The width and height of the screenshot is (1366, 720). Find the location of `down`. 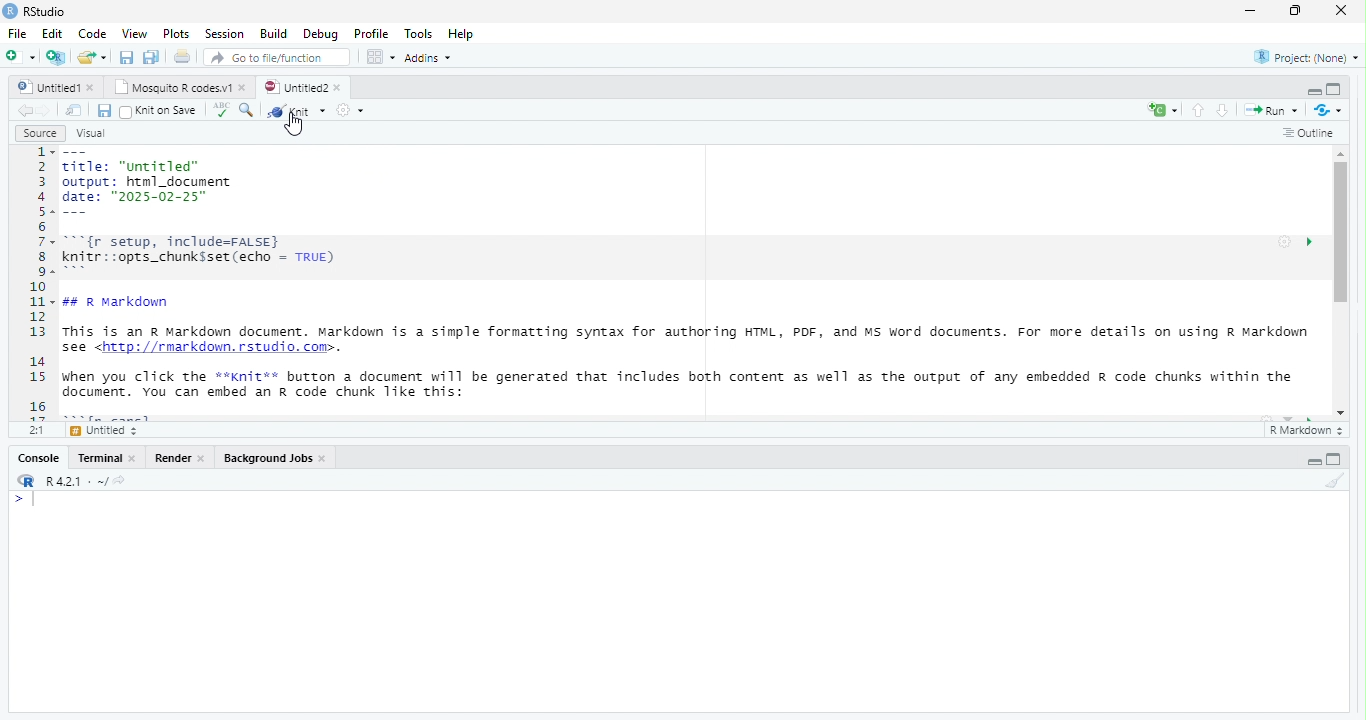

down is located at coordinates (1224, 110).